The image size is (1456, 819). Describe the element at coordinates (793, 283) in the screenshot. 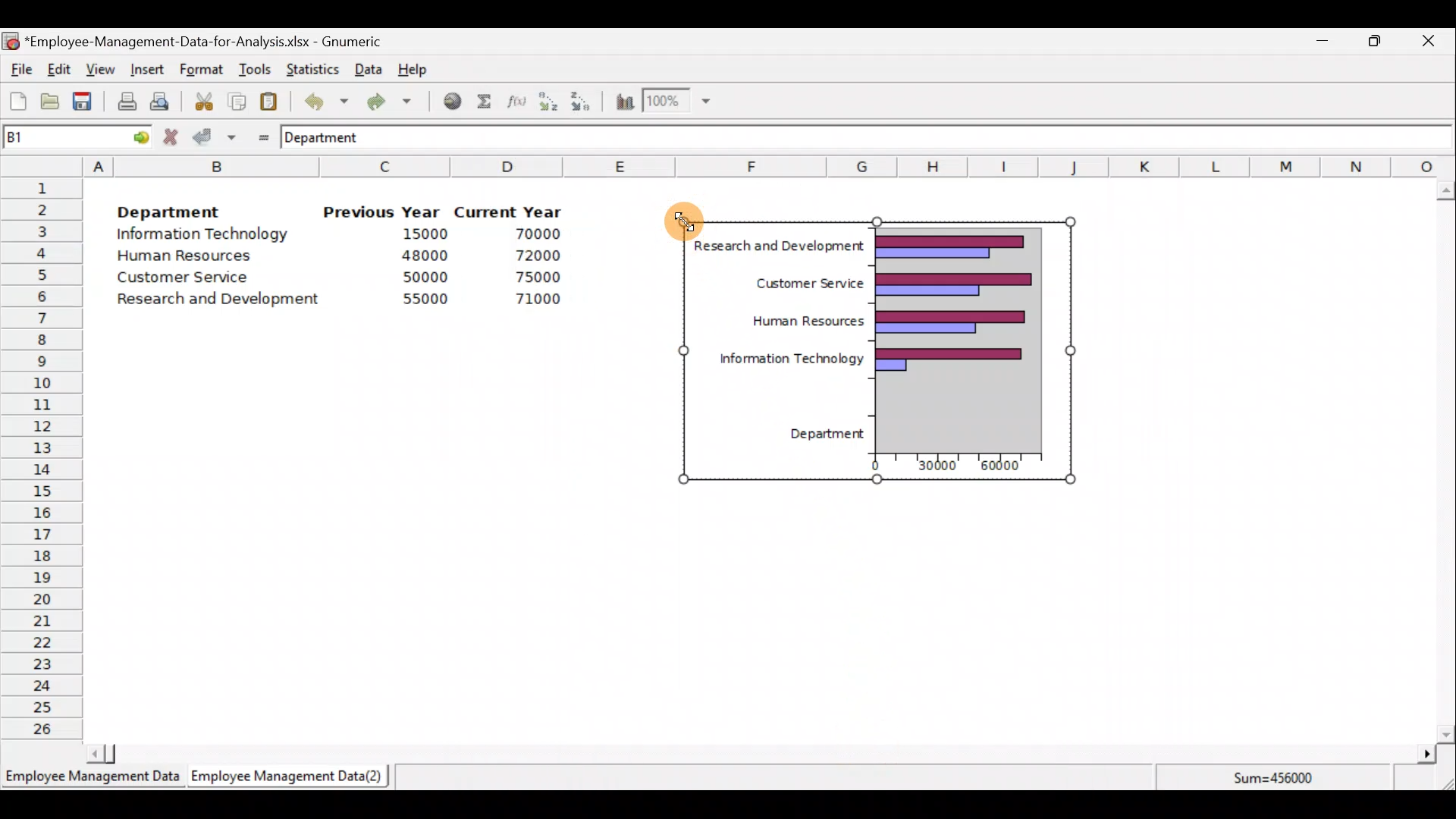

I see `Customer Service` at that location.